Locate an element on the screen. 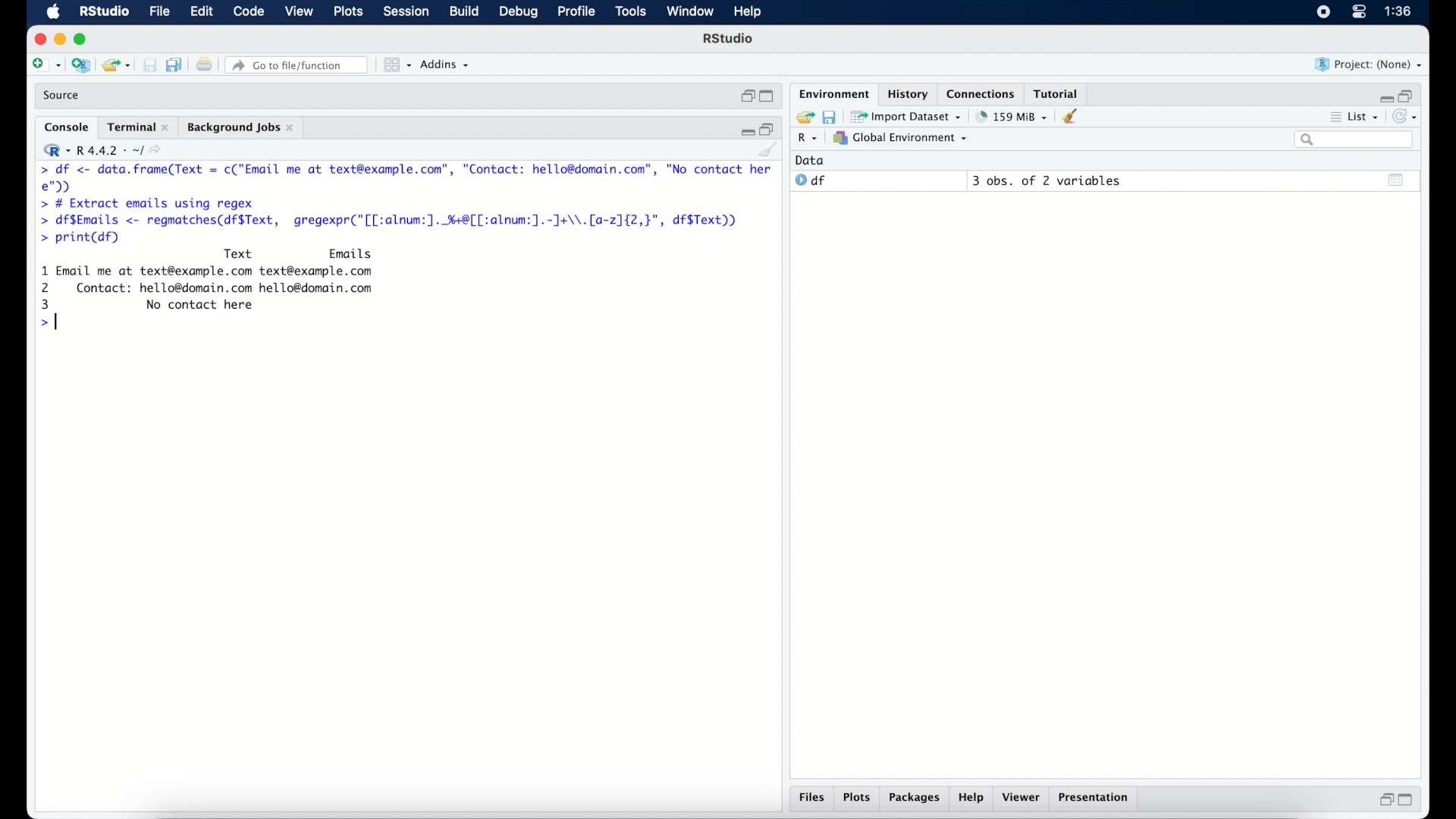  158 MB is located at coordinates (1013, 116).